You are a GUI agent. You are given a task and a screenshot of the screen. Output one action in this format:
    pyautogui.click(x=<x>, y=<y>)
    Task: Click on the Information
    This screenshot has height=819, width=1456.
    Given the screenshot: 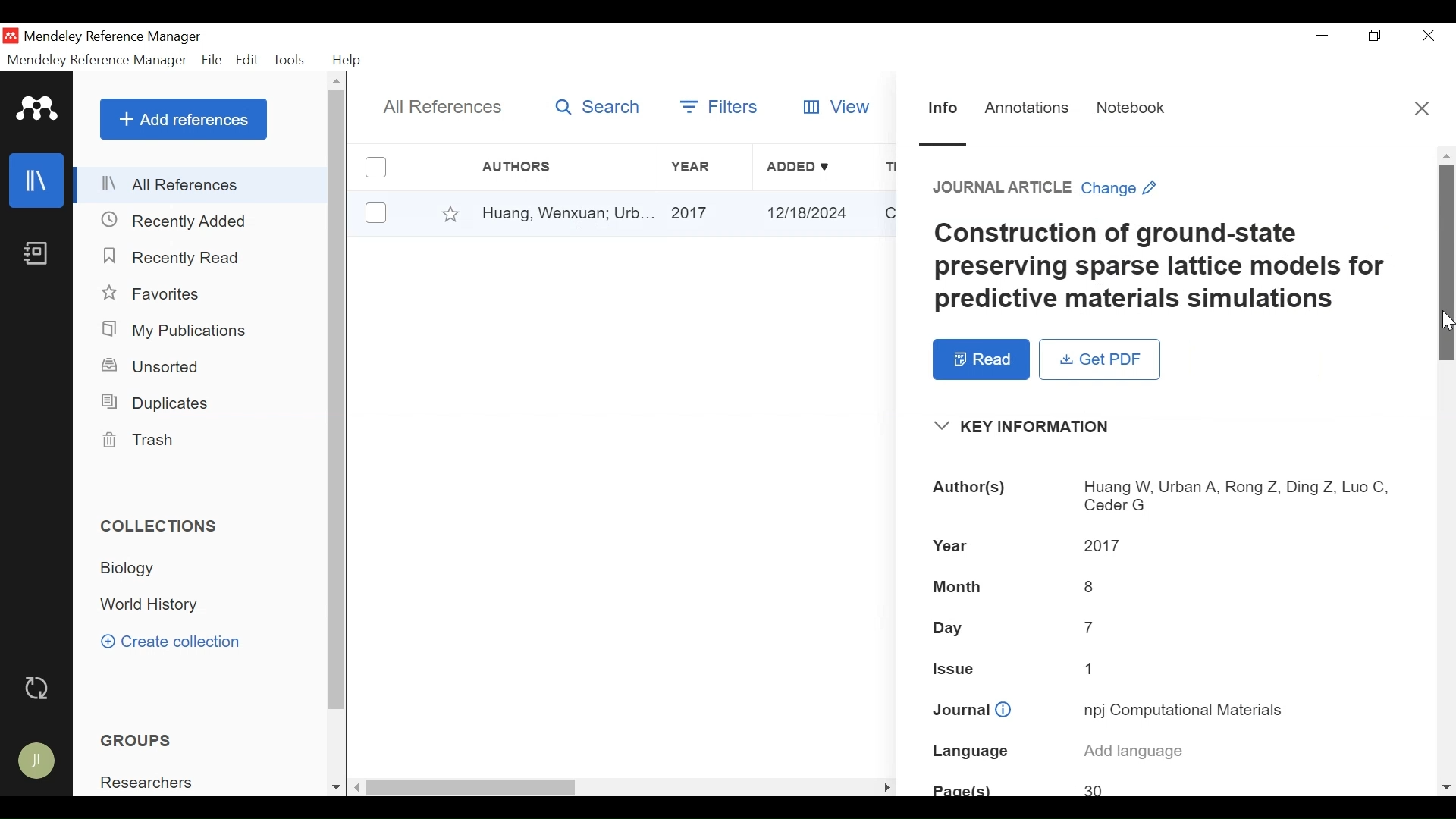 What is the action you would take?
    pyautogui.click(x=940, y=107)
    